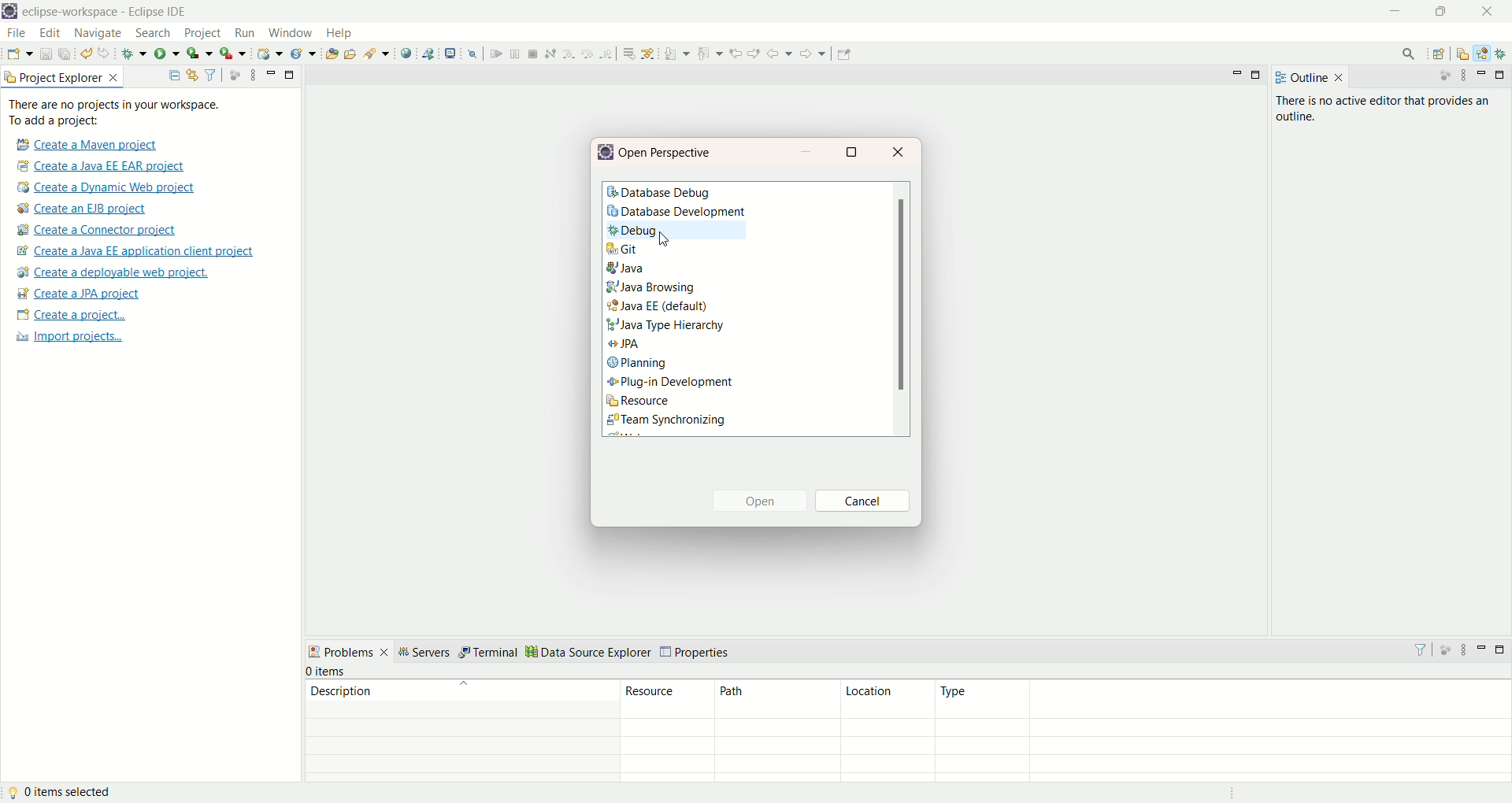 Image resolution: width=1512 pixels, height=803 pixels. I want to click on Java EE, so click(660, 305).